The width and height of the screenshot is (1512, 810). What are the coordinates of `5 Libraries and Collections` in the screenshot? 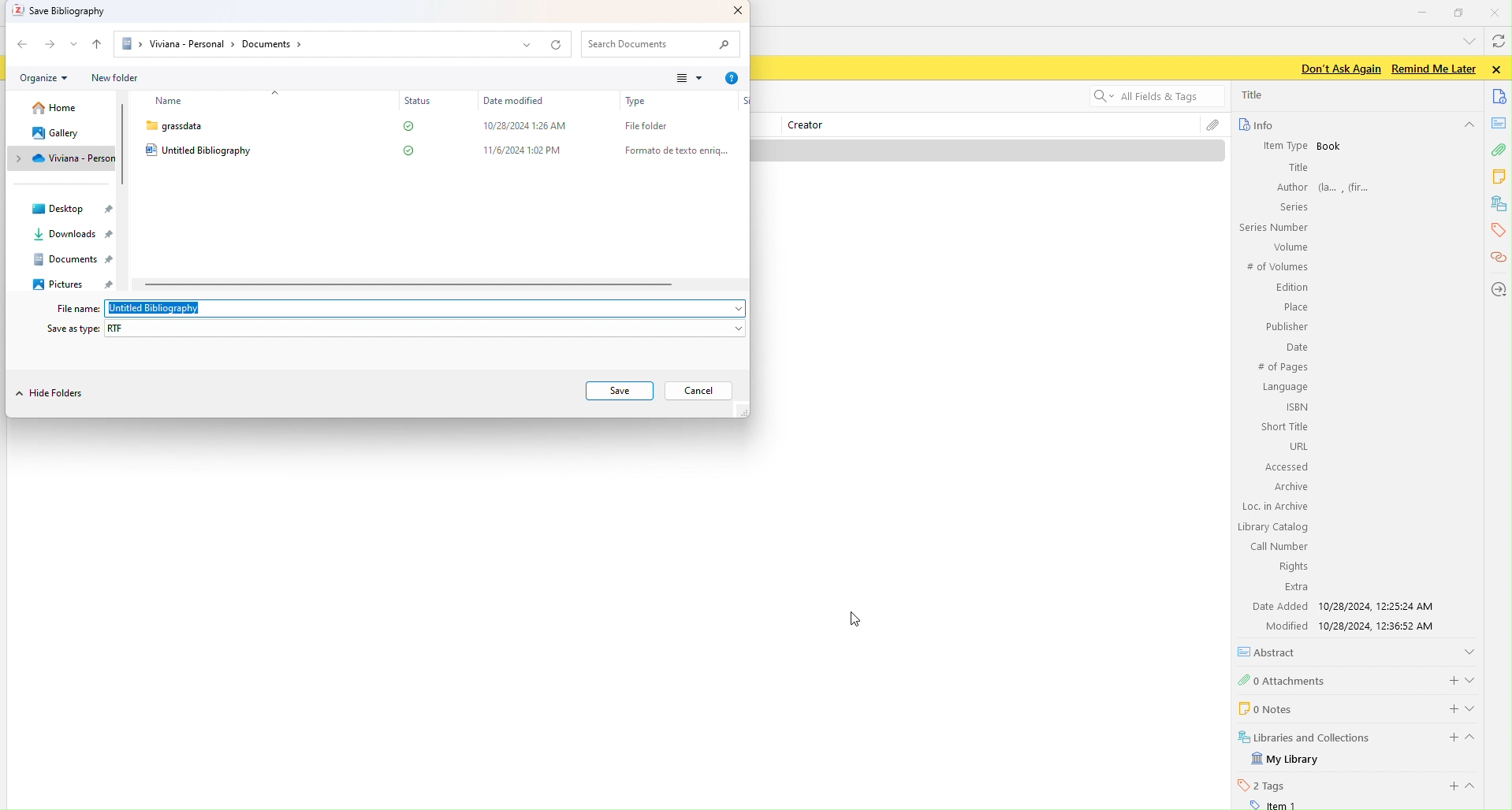 It's located at (1305, 736).